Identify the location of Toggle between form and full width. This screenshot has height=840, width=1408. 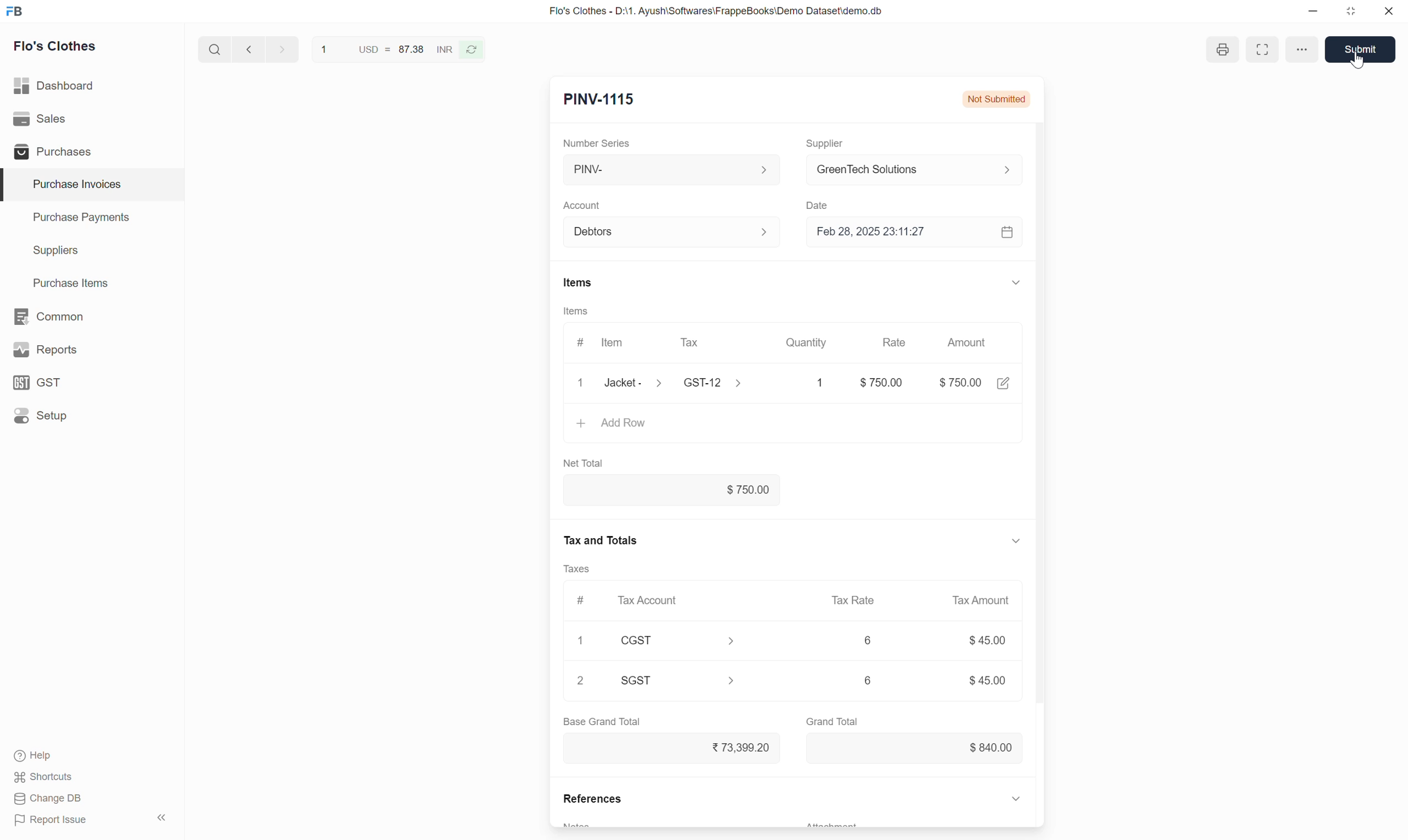
(1311, 49).